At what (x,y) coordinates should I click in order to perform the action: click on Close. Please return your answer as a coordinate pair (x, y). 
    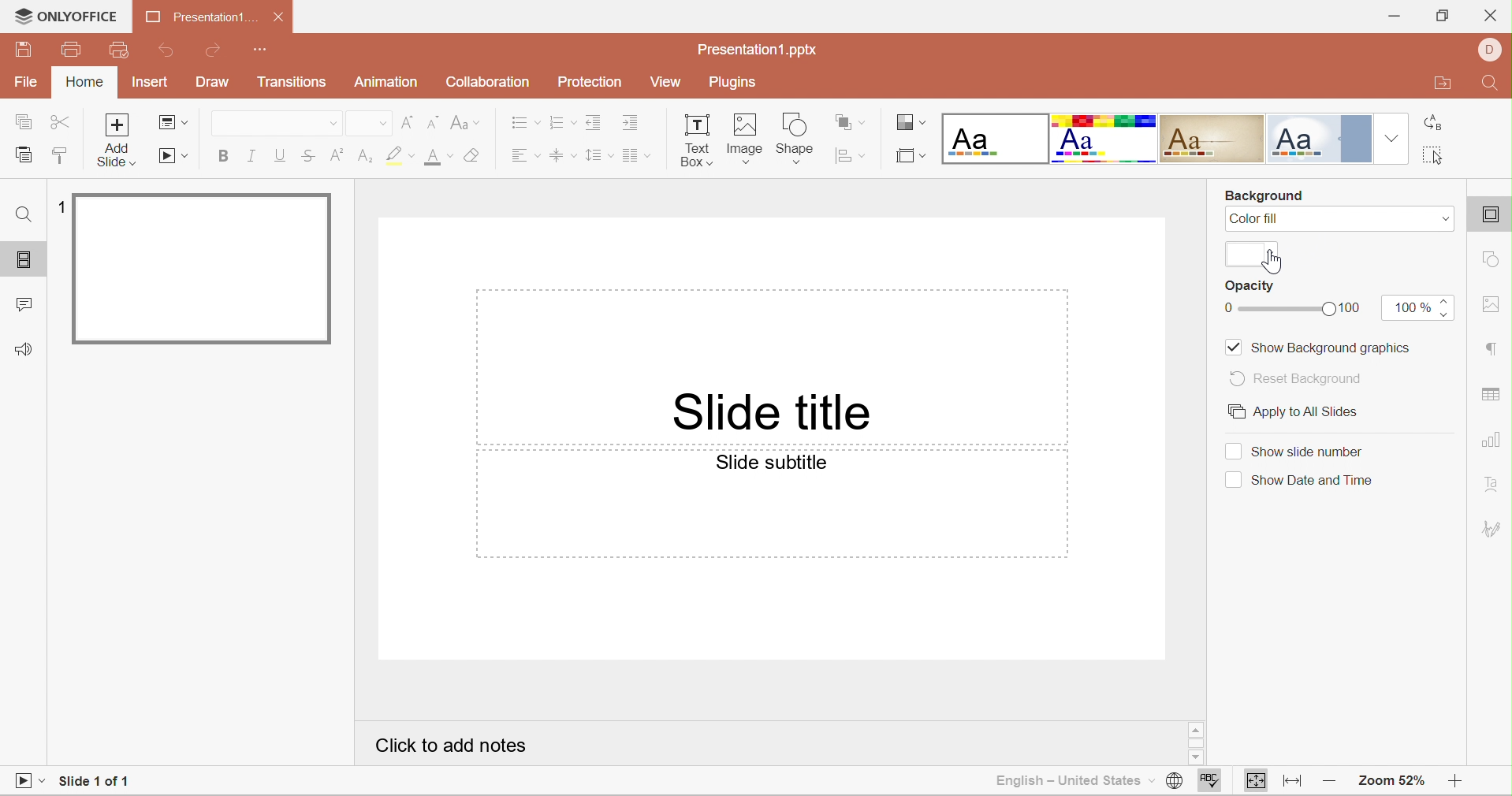
    Looking at the image, I should click on (1491, 16).